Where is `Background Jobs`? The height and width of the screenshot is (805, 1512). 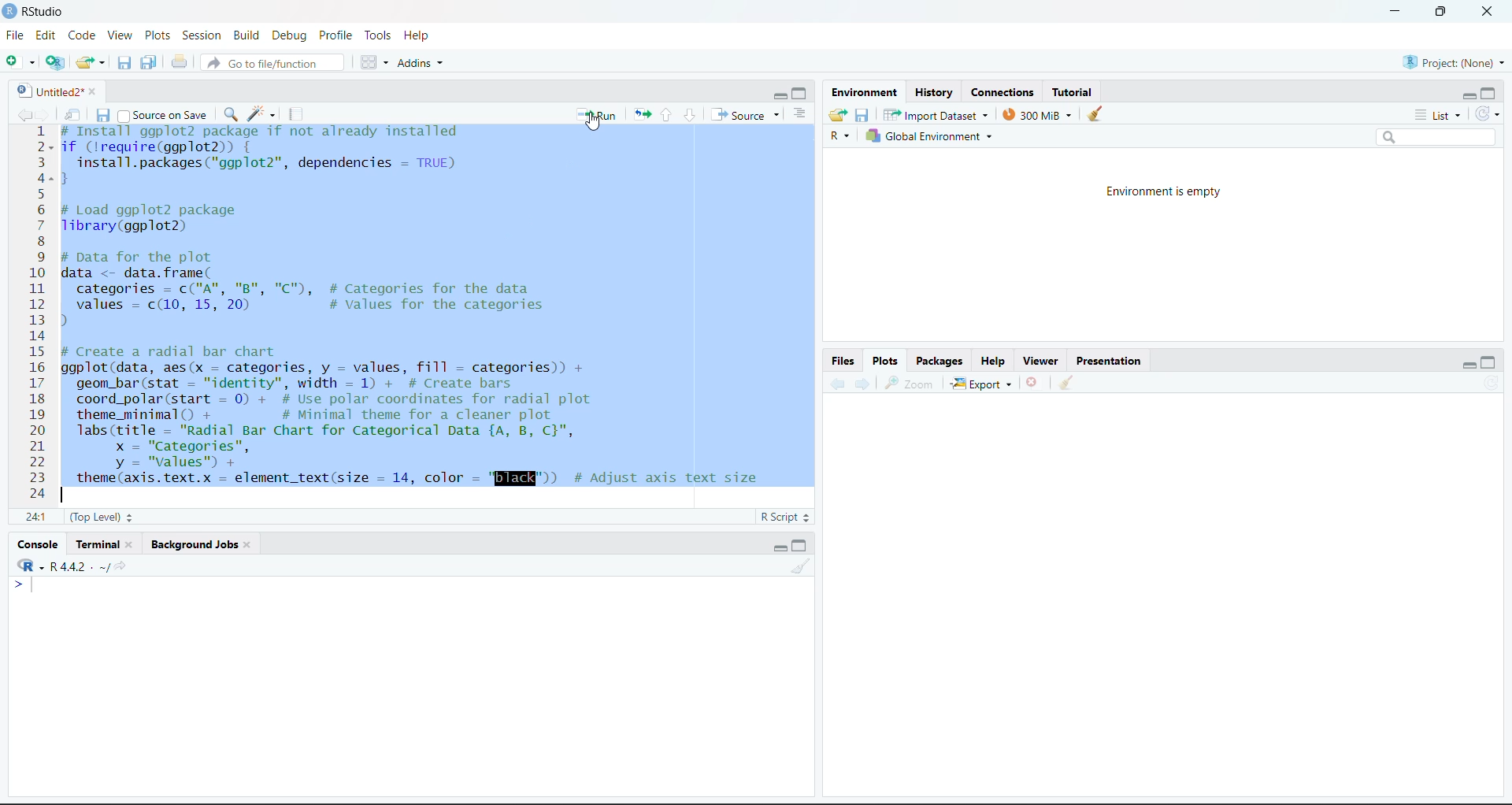 Background Jobs is located at coordinates (202, 545).